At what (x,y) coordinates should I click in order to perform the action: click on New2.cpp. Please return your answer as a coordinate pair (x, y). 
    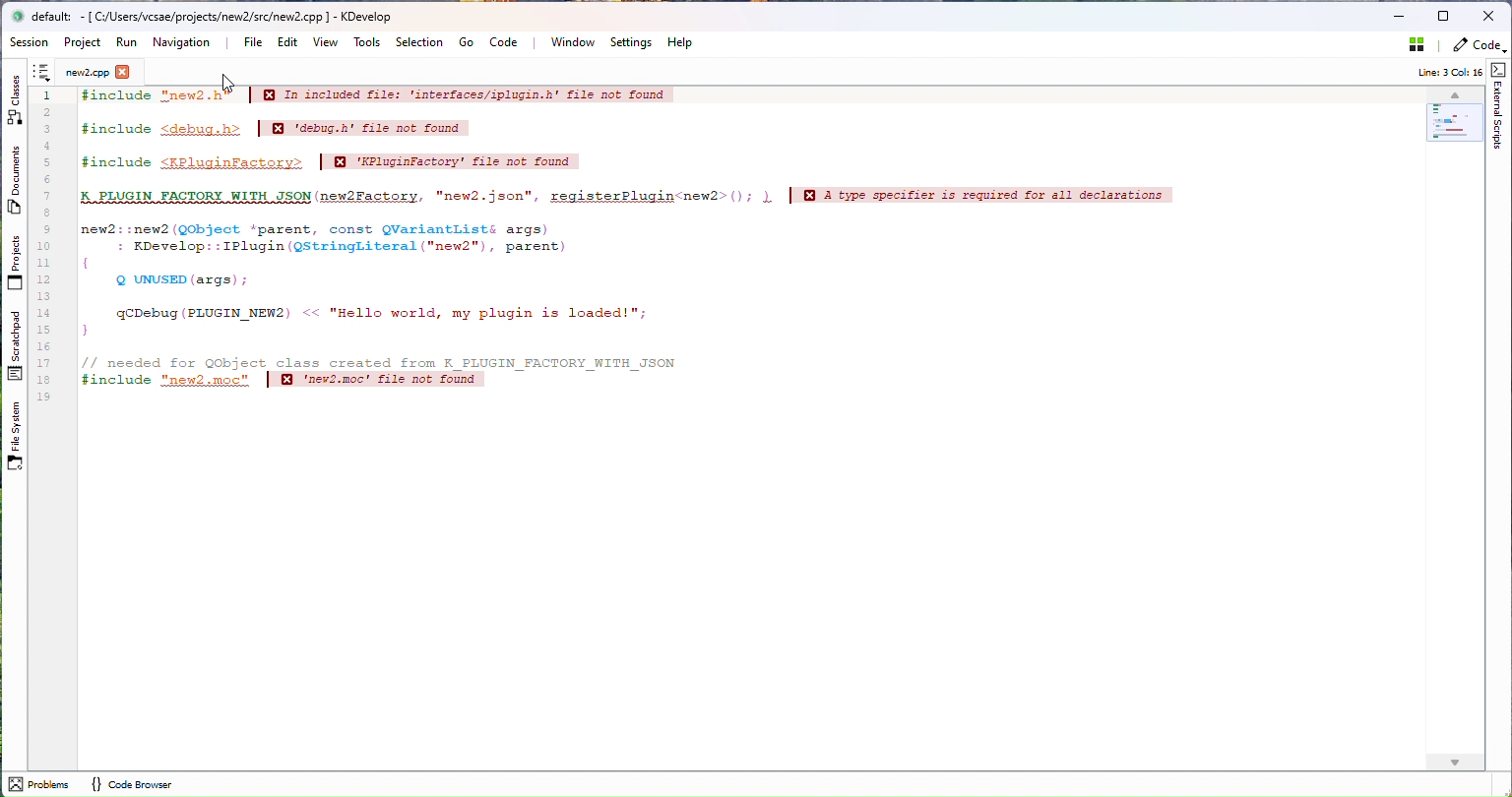
    Looking at the image, I should click on (83, 74).